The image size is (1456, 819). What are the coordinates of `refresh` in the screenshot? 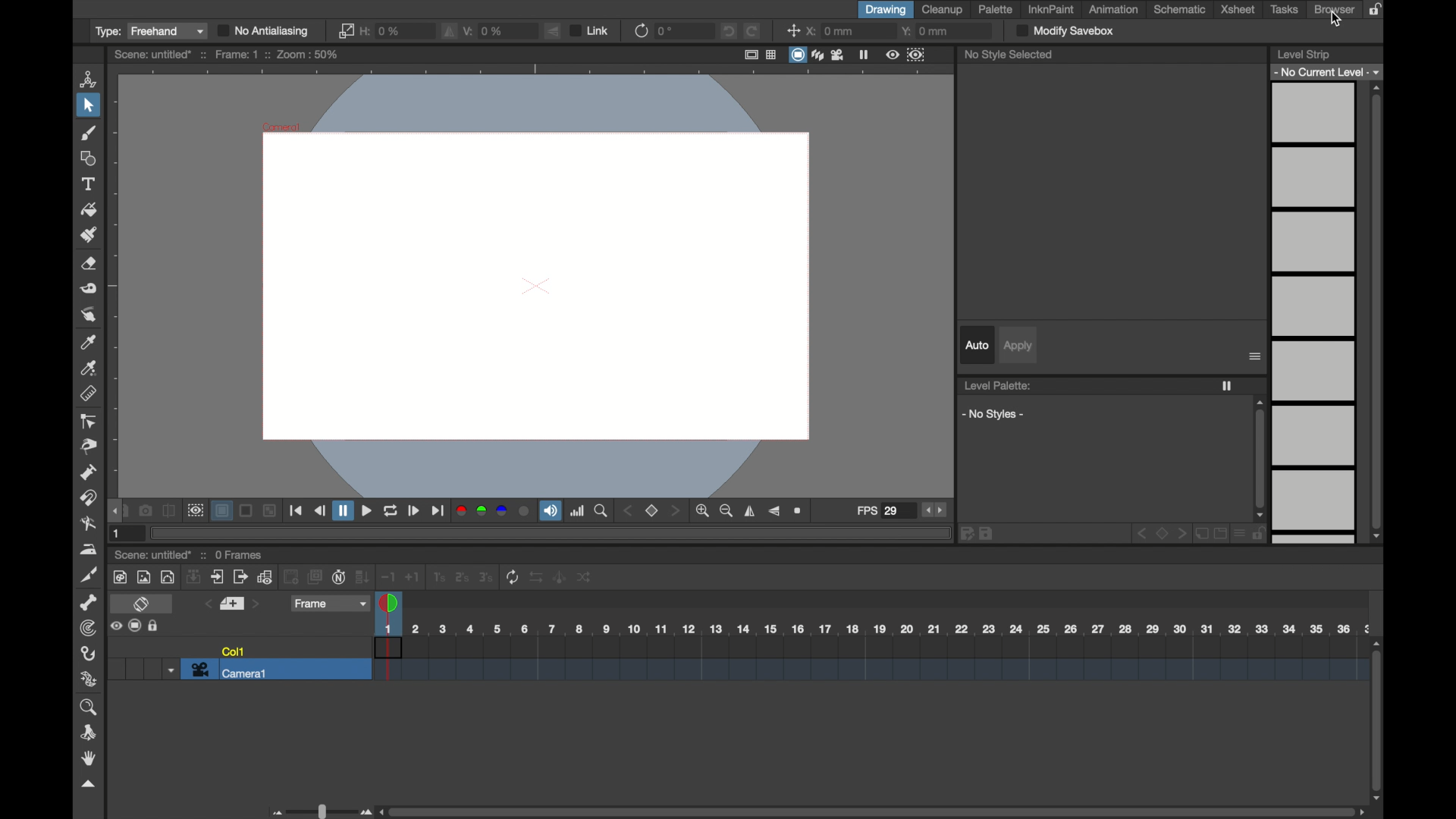 It's located at (640, 31).